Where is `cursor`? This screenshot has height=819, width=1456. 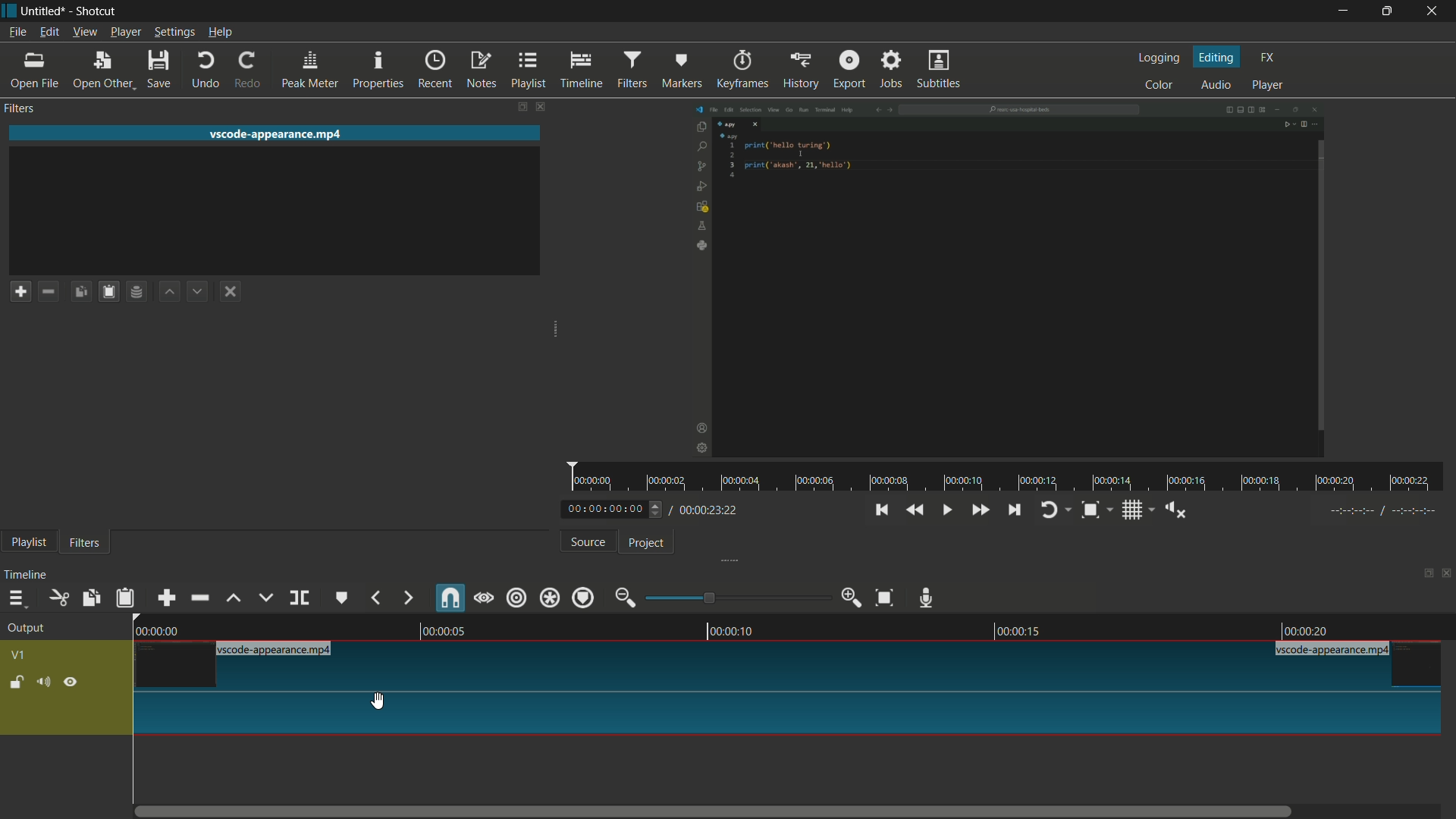
cursor is located at coordinates (383, 701).